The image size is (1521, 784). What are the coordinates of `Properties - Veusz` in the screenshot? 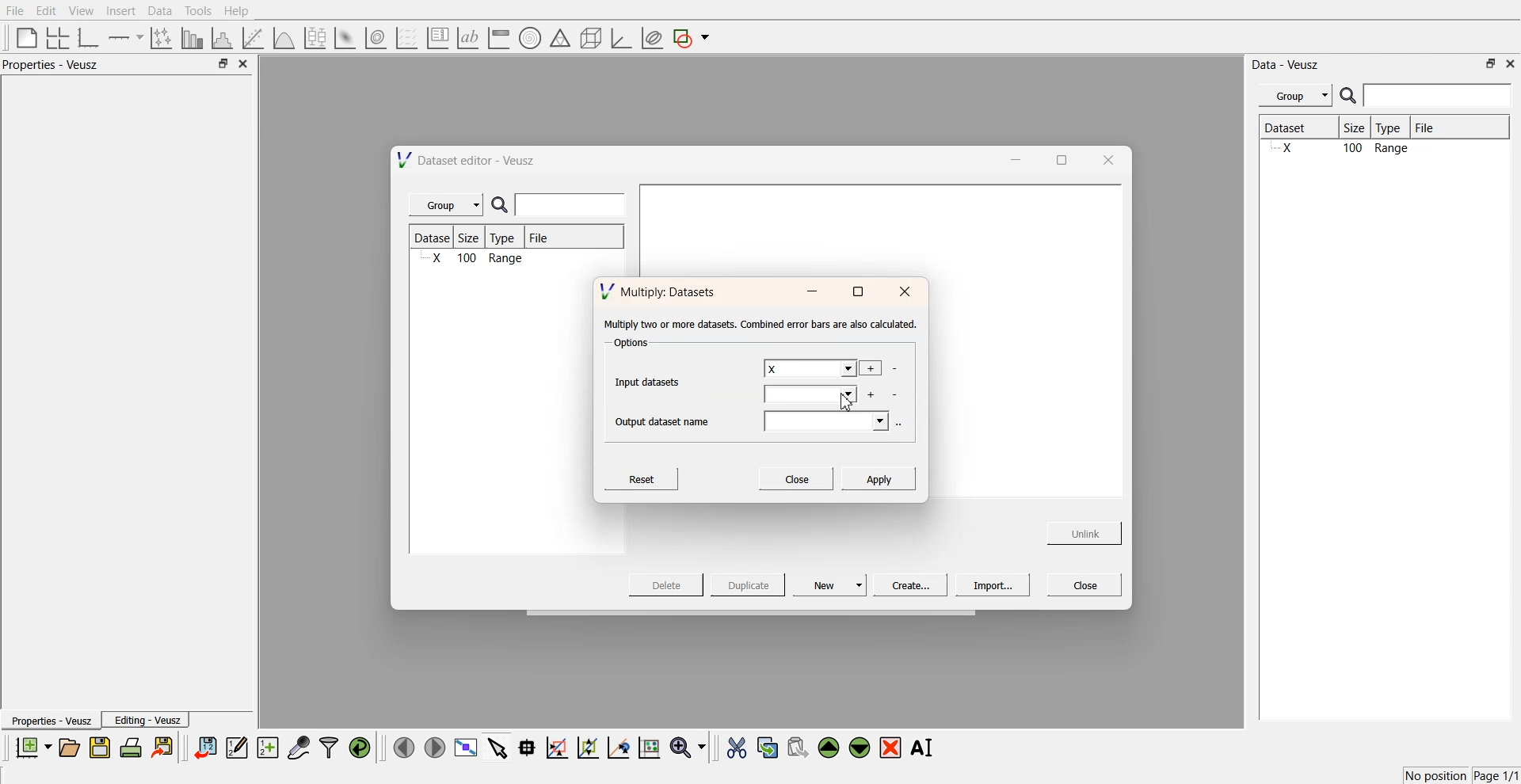 It's located at (55, 65).